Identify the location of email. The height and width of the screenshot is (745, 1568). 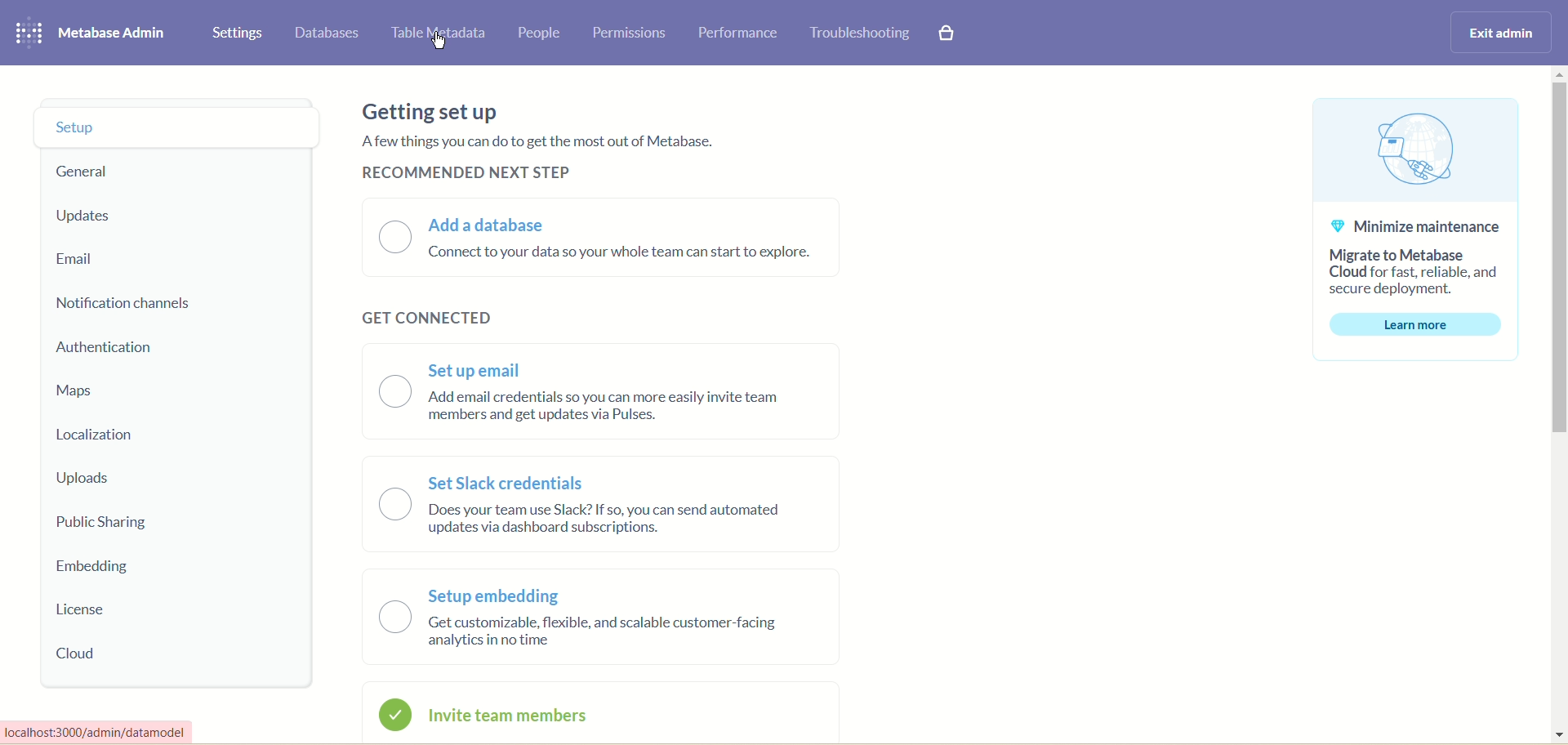
(80, 259).